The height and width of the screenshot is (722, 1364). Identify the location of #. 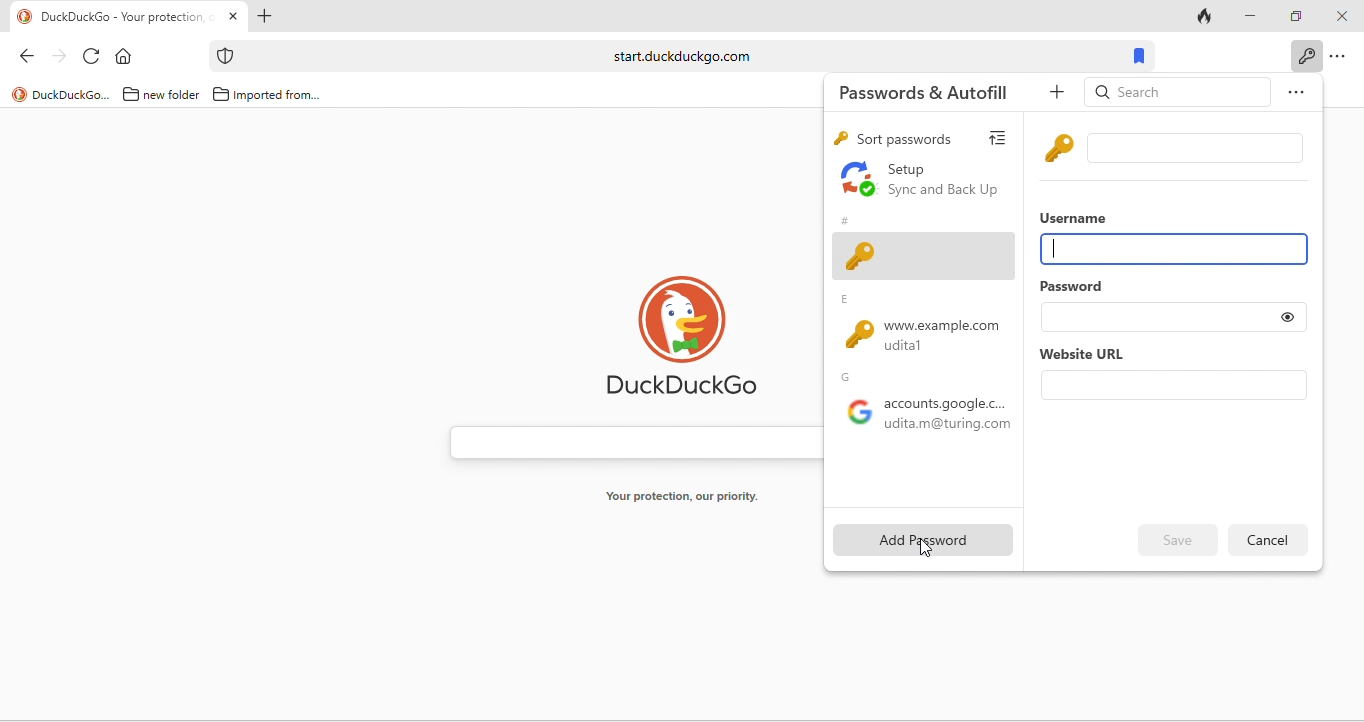
(846, 221).